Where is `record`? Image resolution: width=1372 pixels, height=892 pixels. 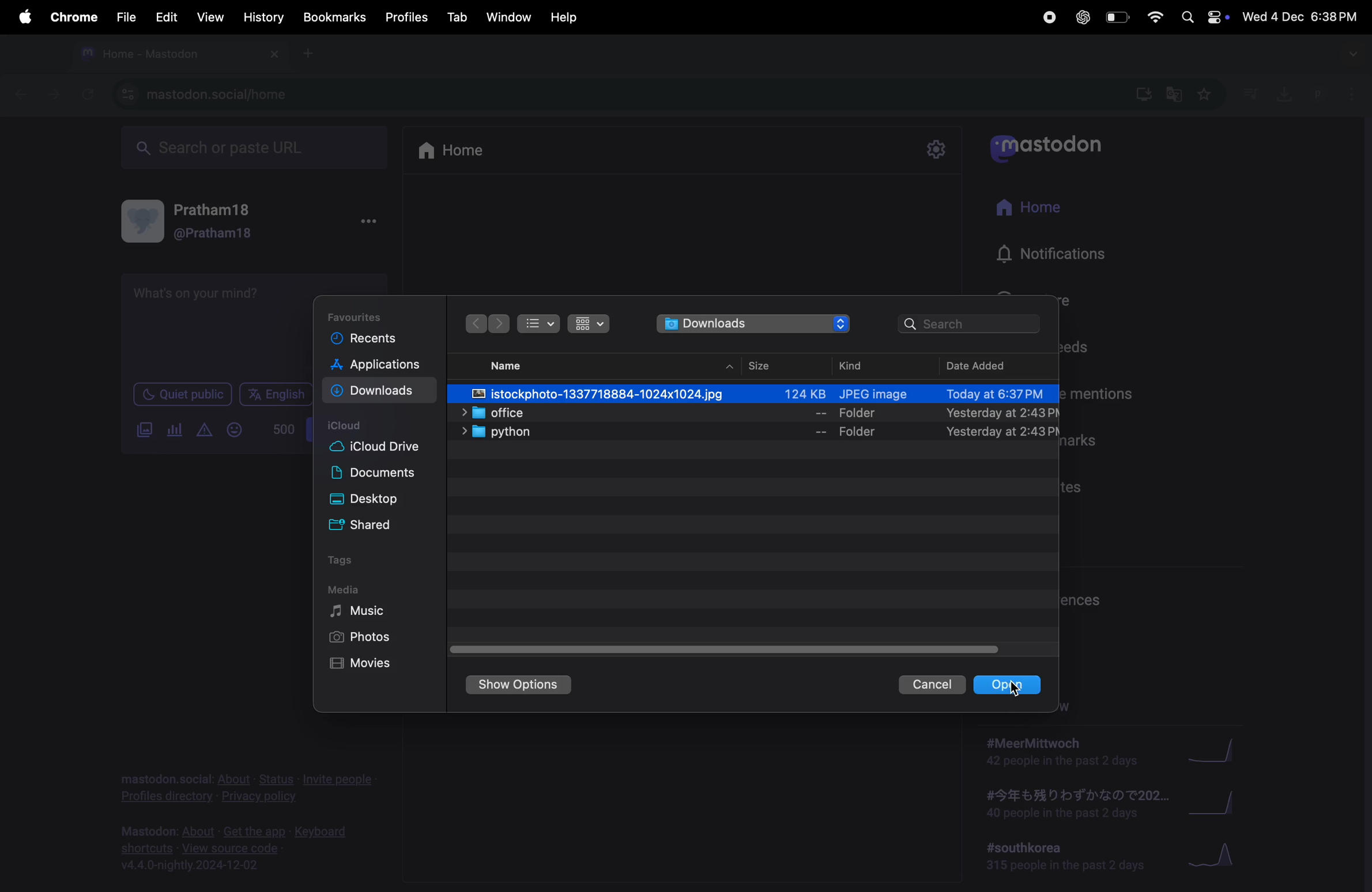
record is located at coordinates (1048, 17).